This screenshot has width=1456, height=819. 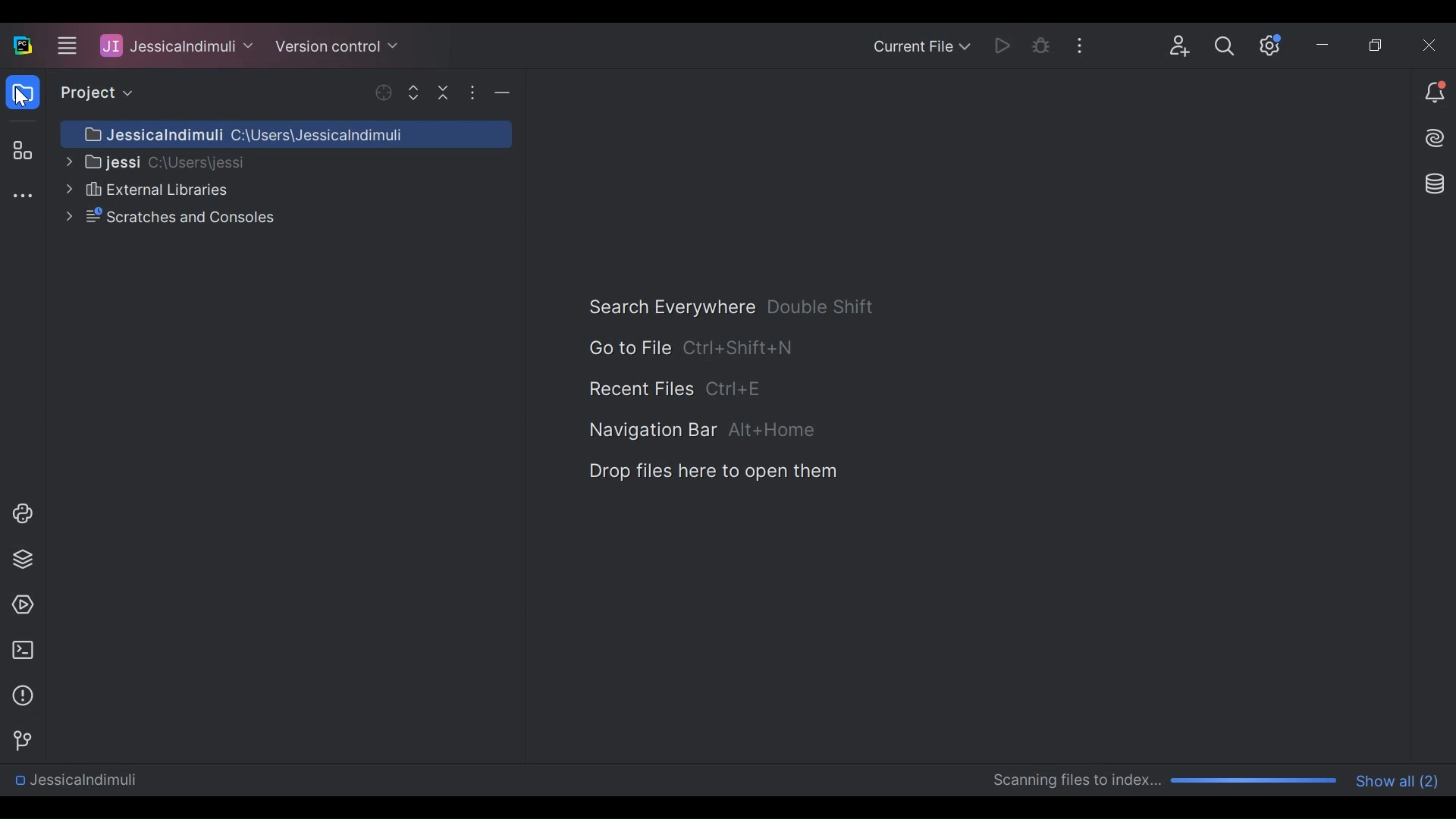 I want to click on AI Assistance, so click(x=1434, y=138).